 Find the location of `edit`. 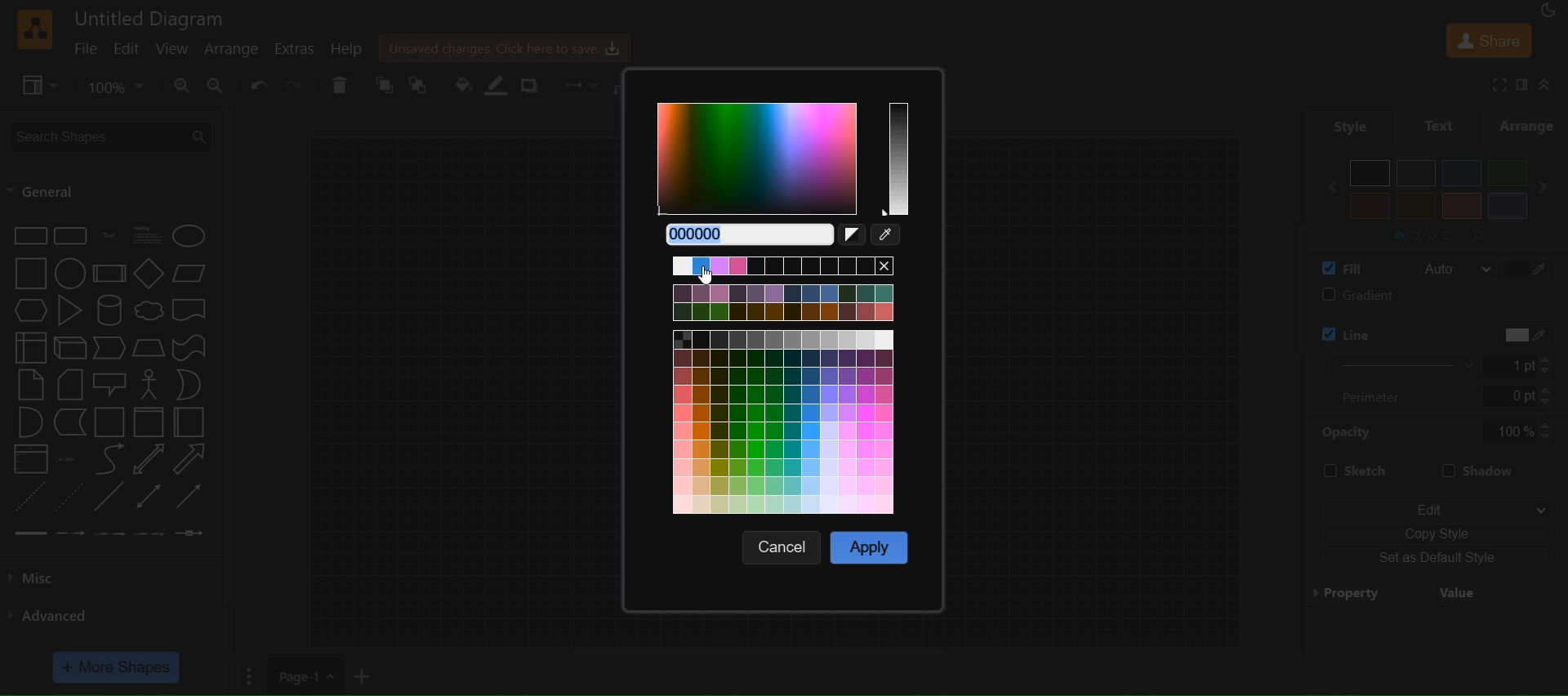

edit is located at coordinates (128, 49).